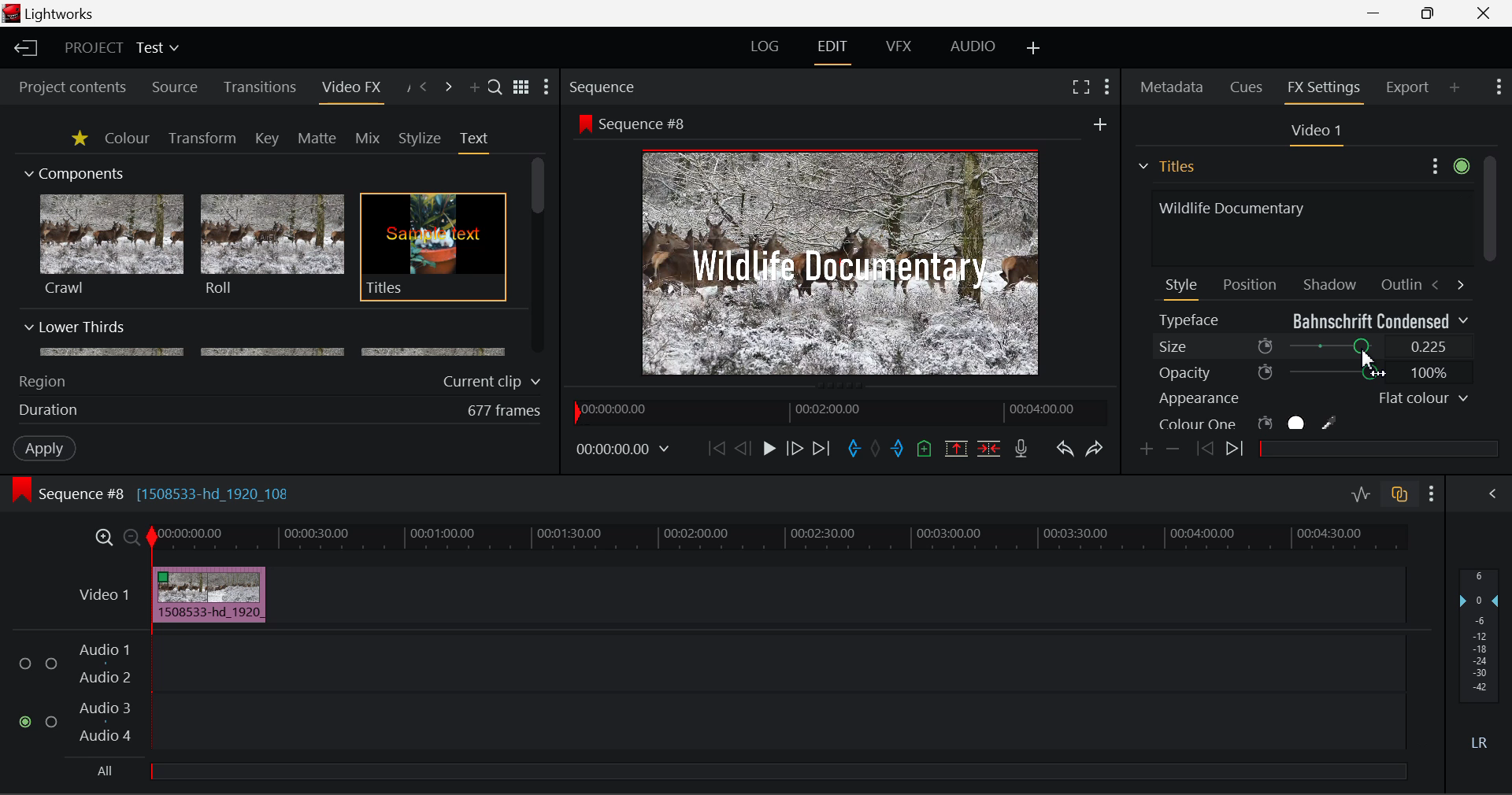 This screenshot has width=1512, height=795. Describe the element at coordinates (1484, 12) in the screenshot. I see `Close` at that location.